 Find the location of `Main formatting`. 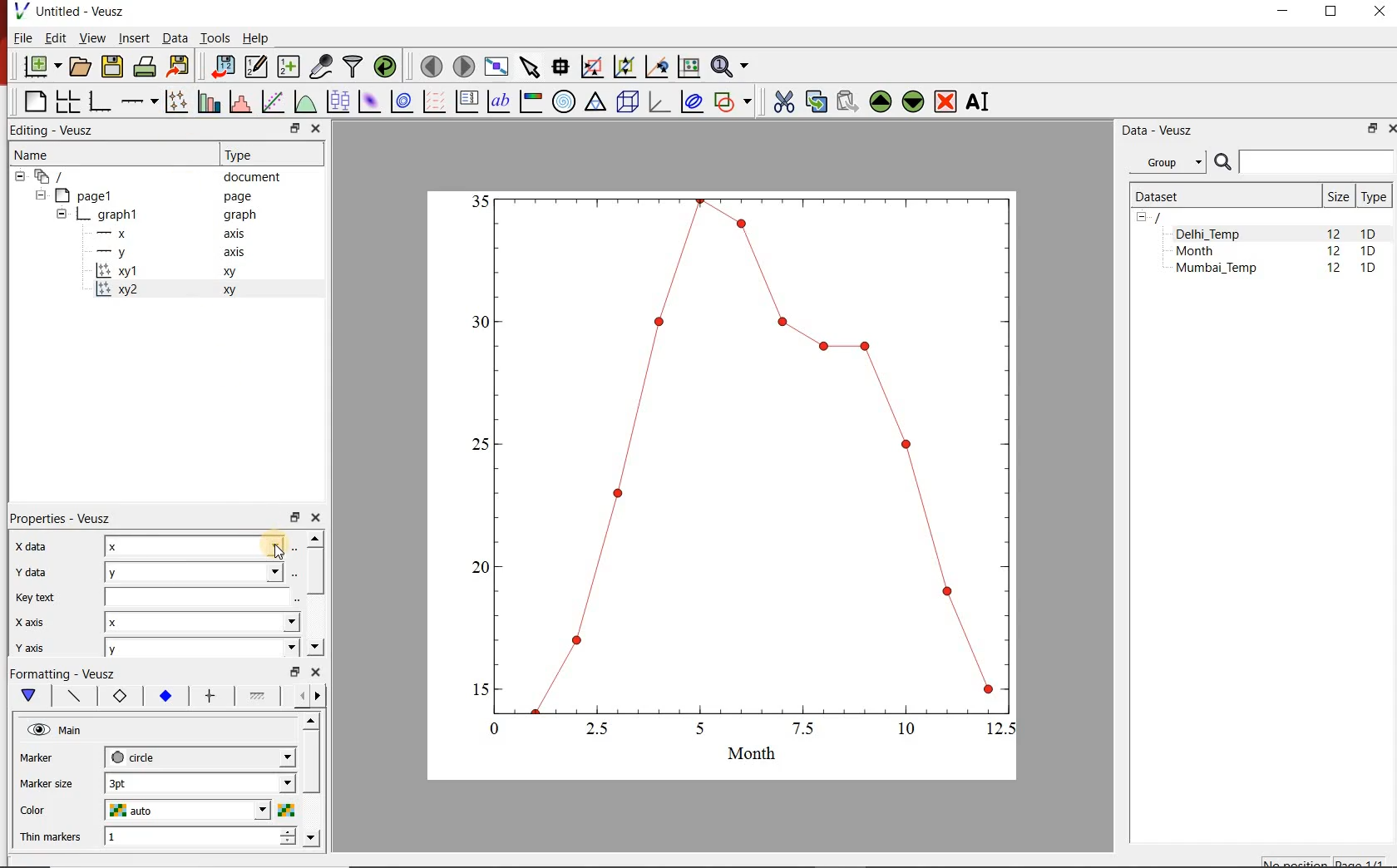

Main formatting is located at coordinates (26, 696).